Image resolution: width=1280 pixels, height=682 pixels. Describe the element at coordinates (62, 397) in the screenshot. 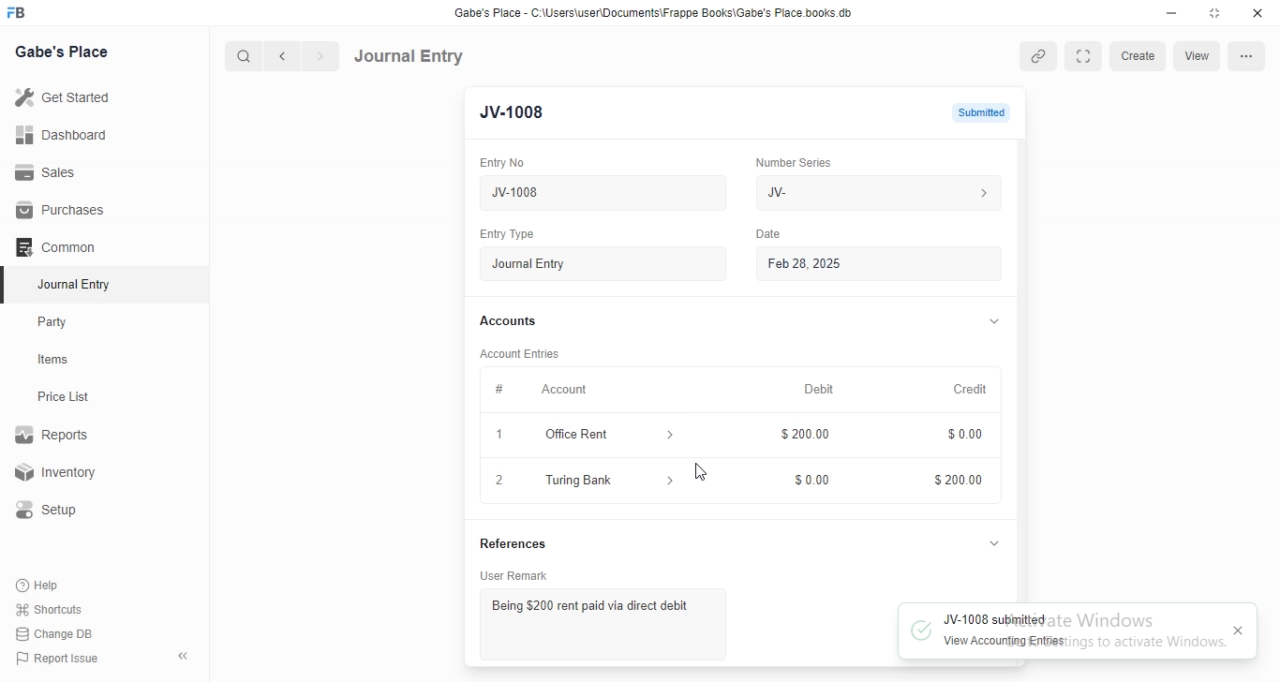

I see `Price List` at that location.